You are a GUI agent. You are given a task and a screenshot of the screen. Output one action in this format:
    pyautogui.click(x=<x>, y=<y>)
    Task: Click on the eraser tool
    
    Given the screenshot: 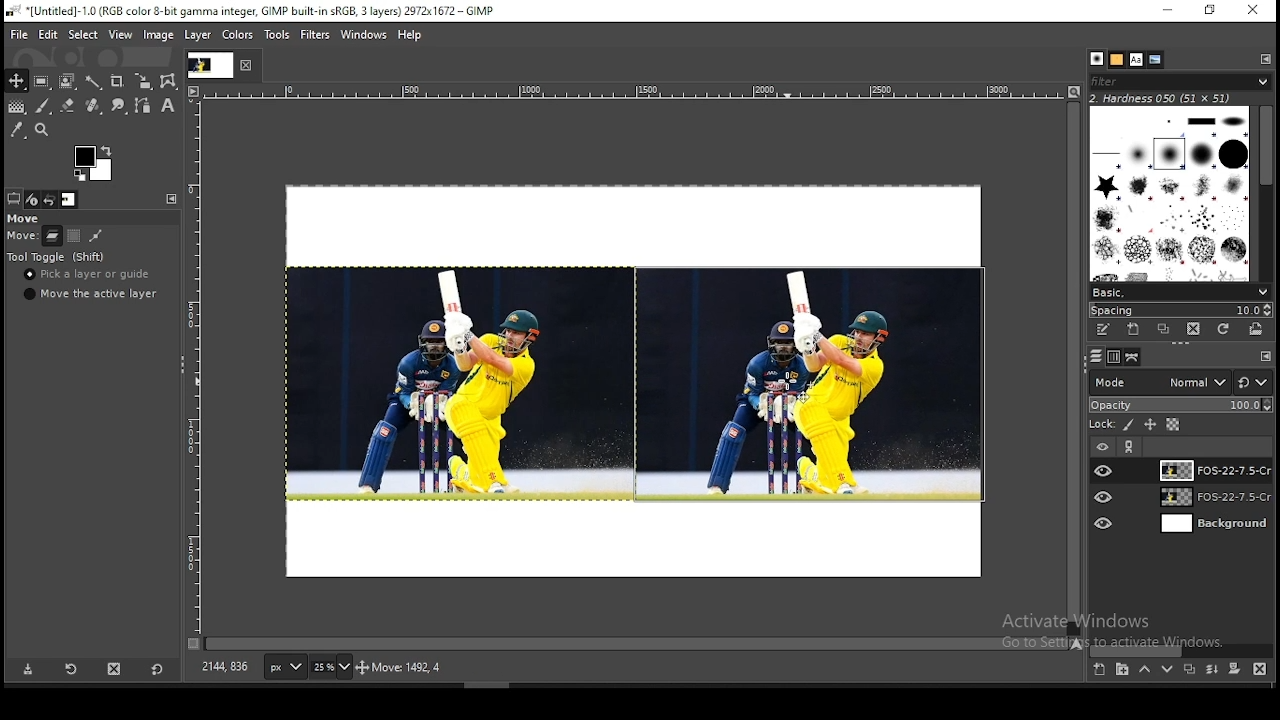 What is the action you would take?
    pyautogui.click(x=63, y=106)
    